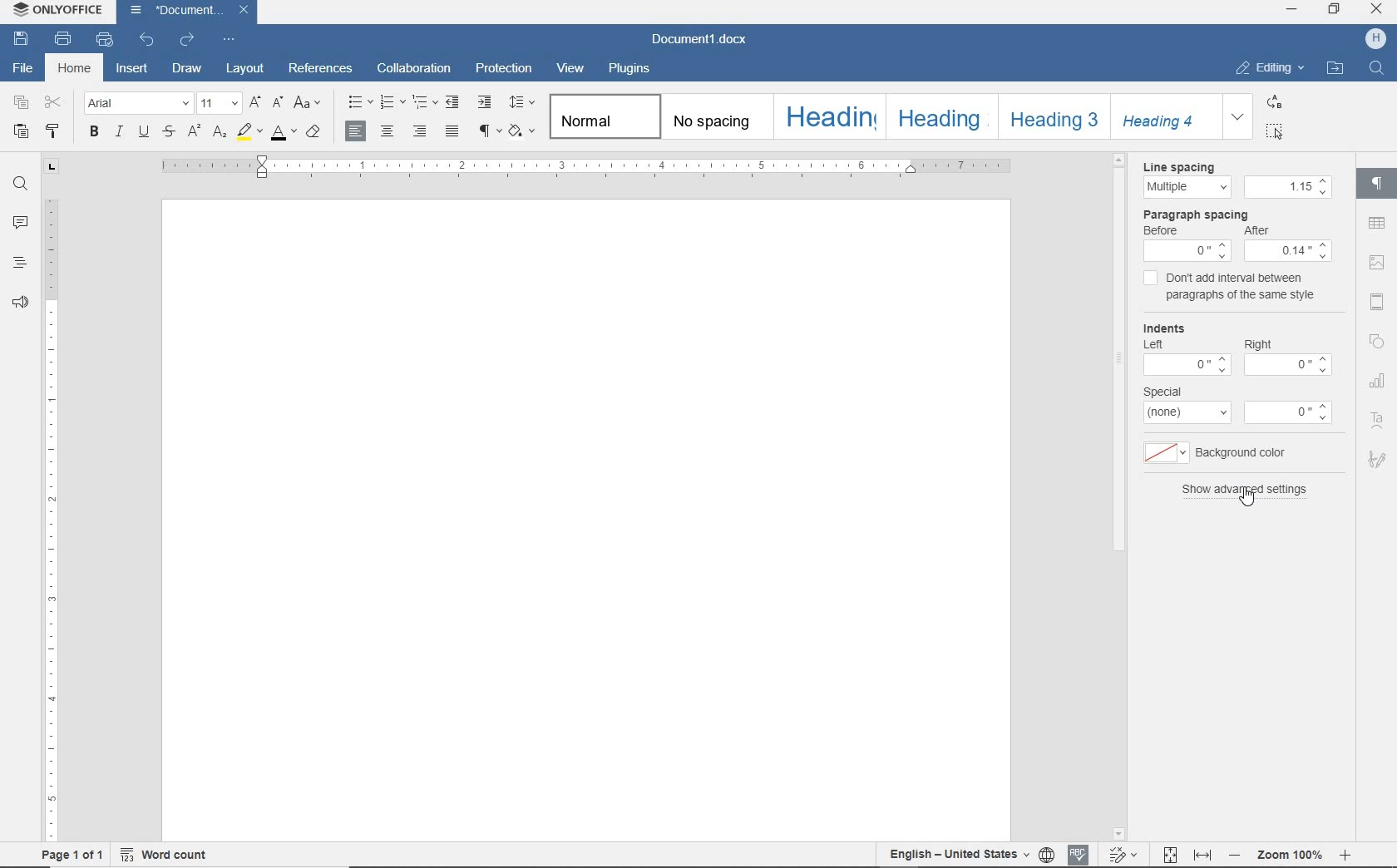  Describe the element at coordinates (1237, 350) in the screenshot. I see `Indents: Left-0 Right-0` at that location.